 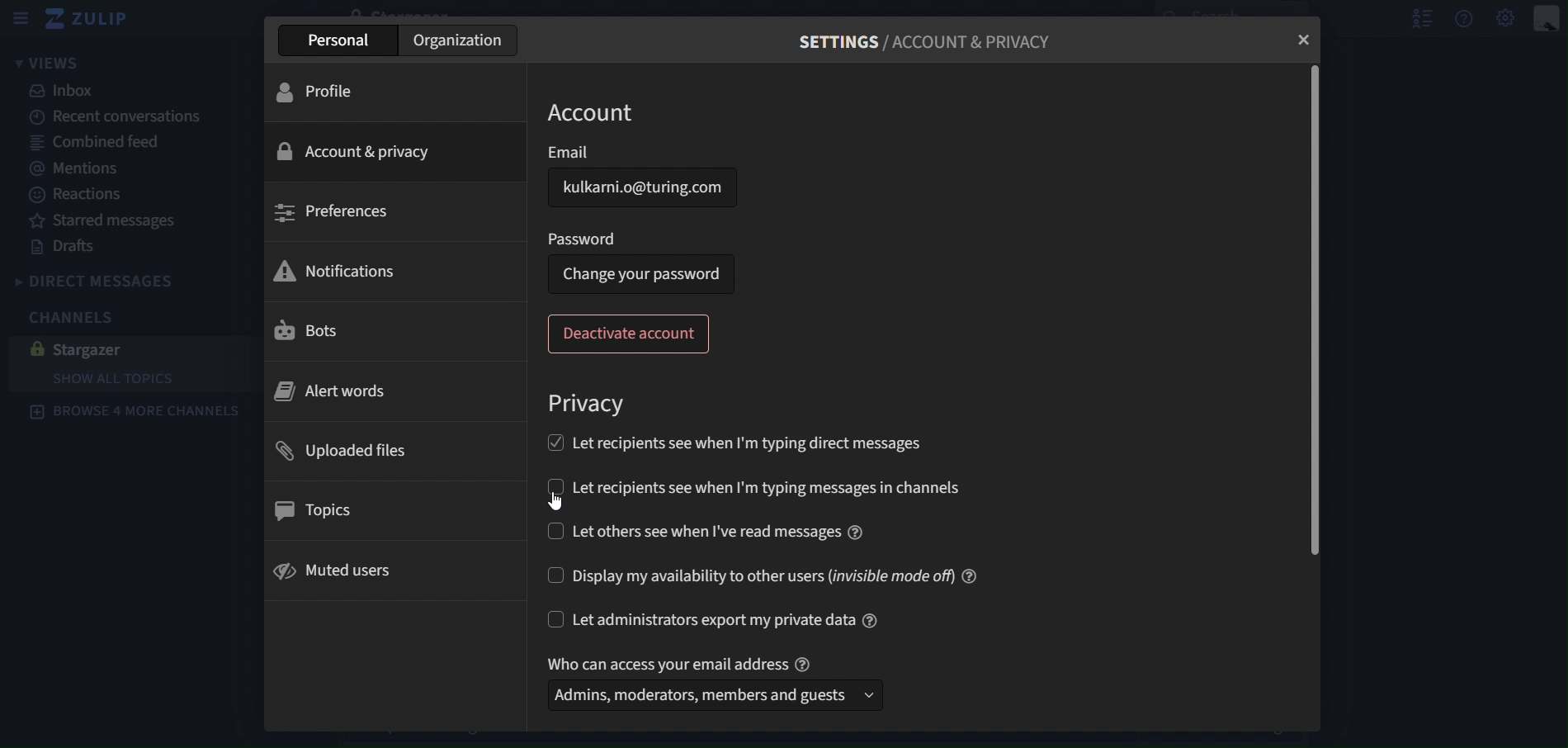 I want to click on bots, so click(x=305, y=329).